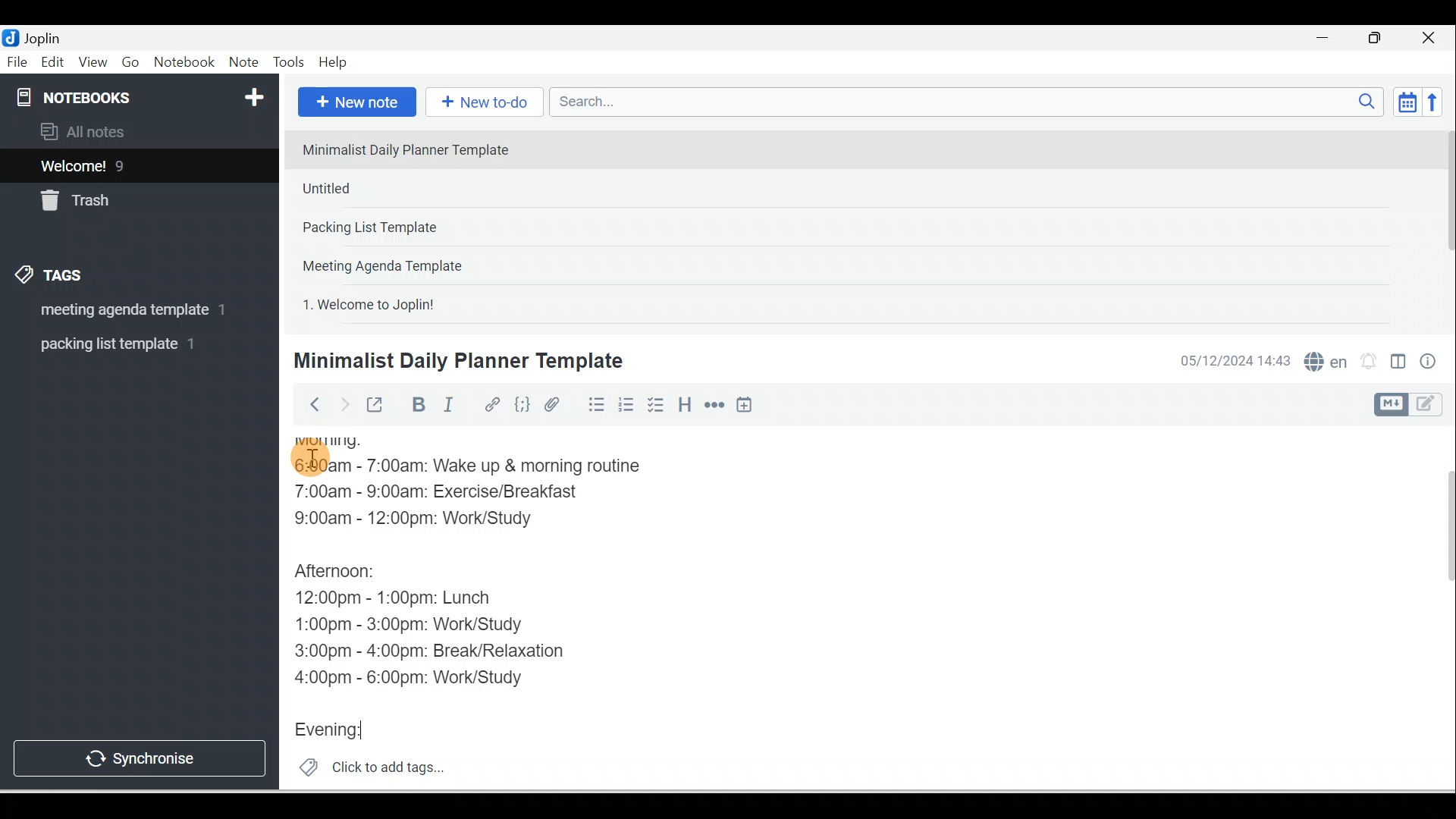 This screenshot has width=1456, height=819. What do you see at coordinates (343, 403) in the screenshot?
I see `Forward` at bounding box center [343, 403].